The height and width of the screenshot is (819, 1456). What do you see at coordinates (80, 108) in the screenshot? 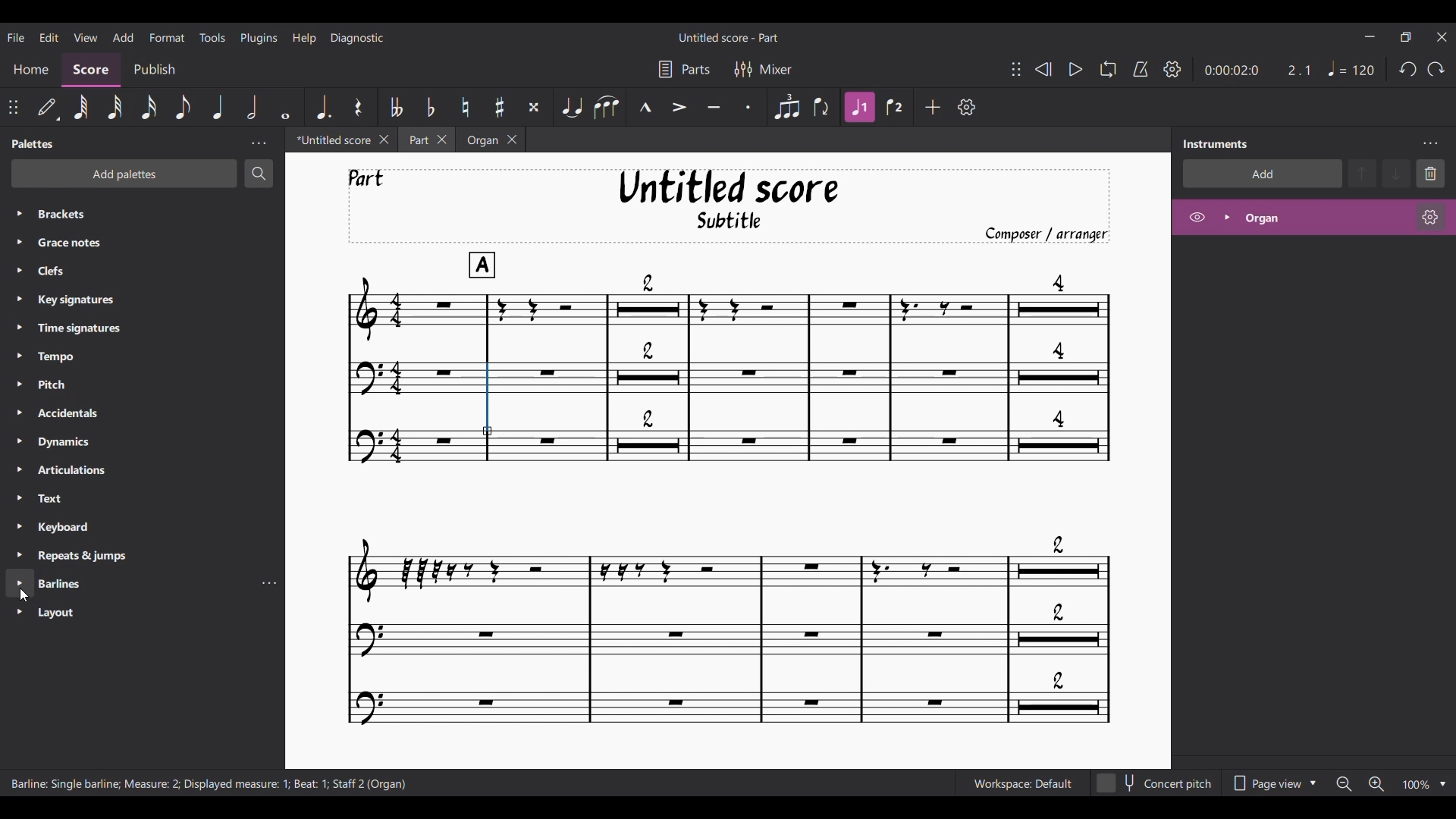
I see `64th note` at bounding box center [80, 108].